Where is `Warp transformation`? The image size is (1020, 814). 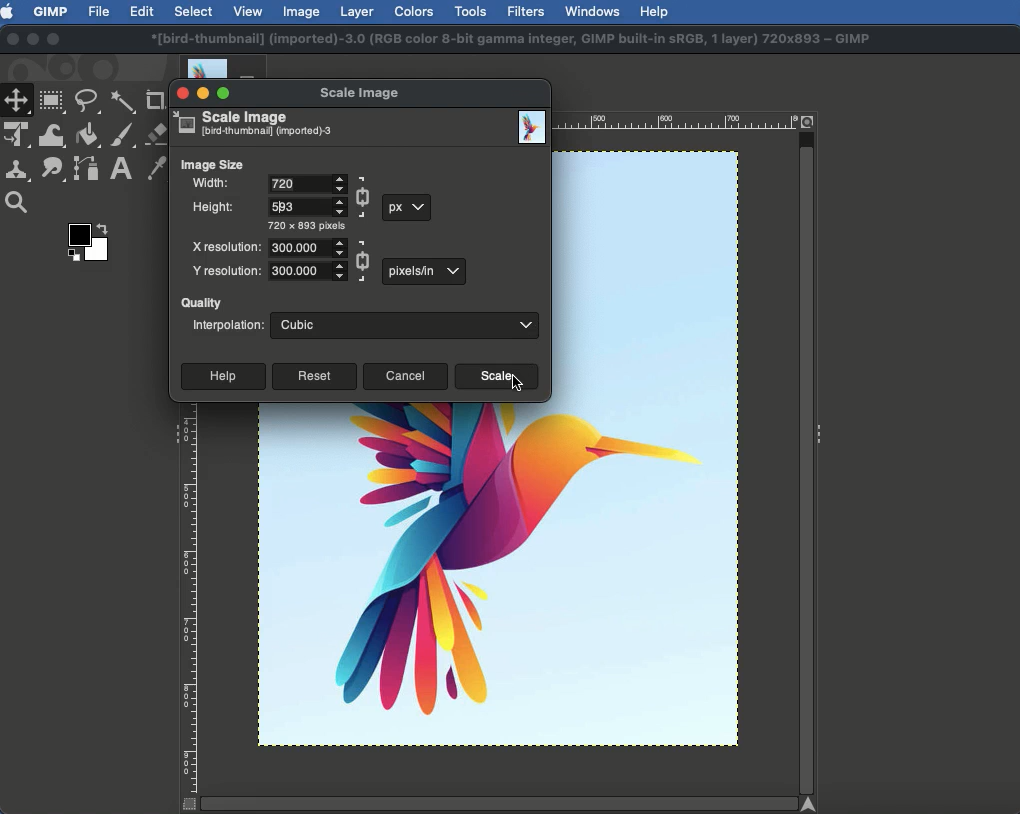
Warp transformation is located at coordinates (53, 134).